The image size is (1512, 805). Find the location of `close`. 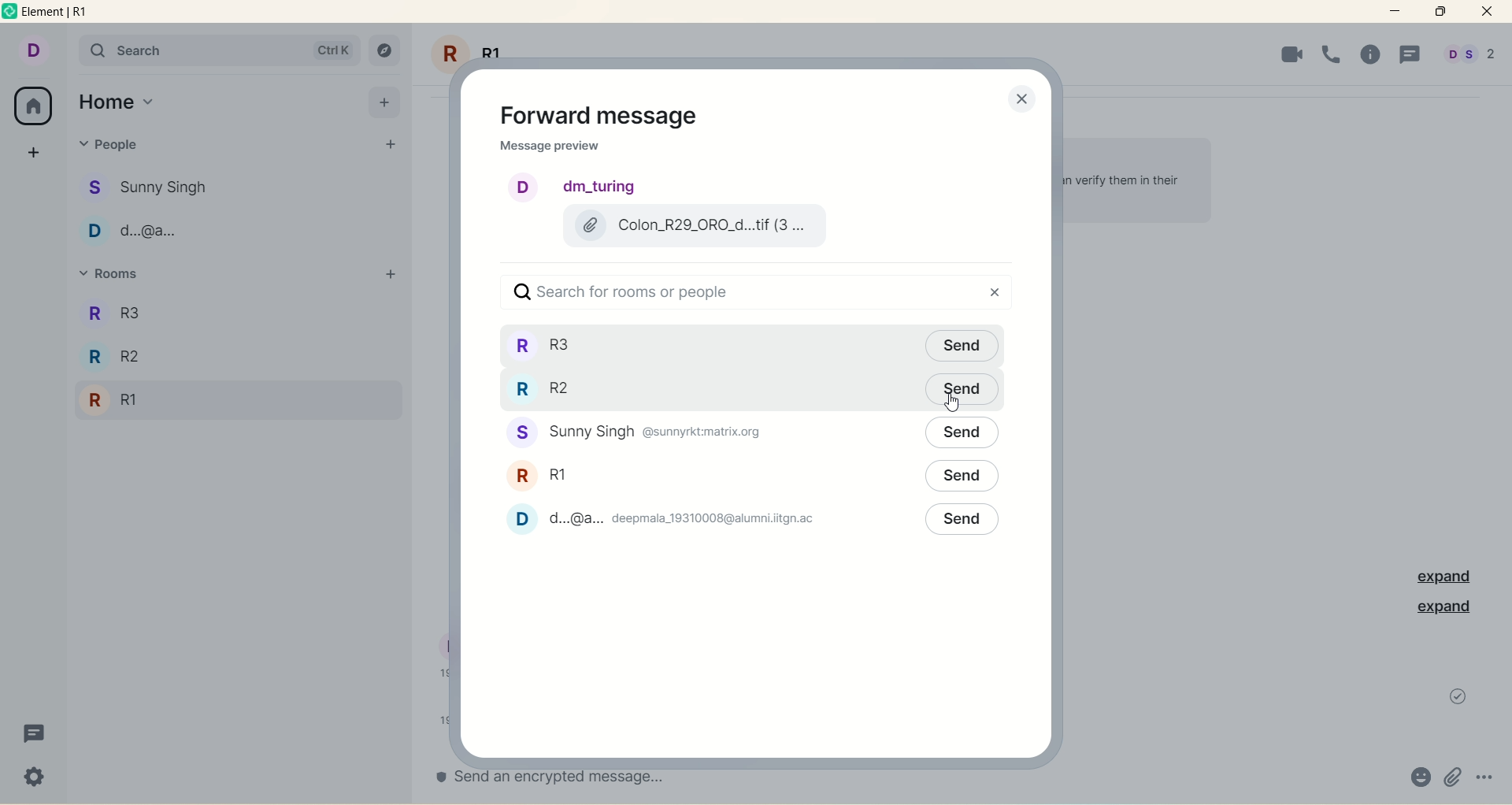

close is located at coordinates (1487, 12).